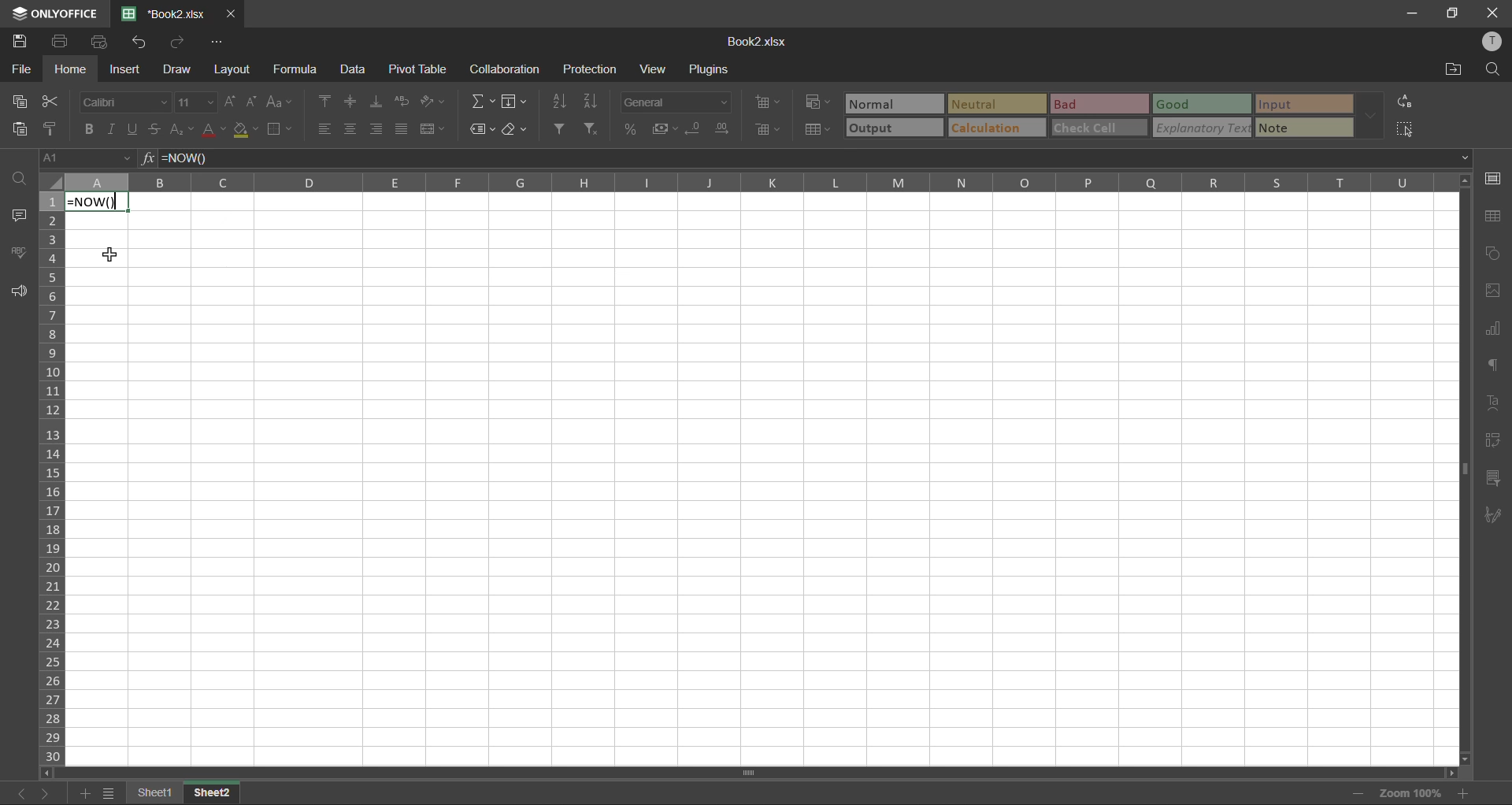 Image resolution: width=1512 pixels, height=805 pixels. What do you see at coordinates (654, 69) in the screenshot?
I see `view` at bounding box center [654, 69].